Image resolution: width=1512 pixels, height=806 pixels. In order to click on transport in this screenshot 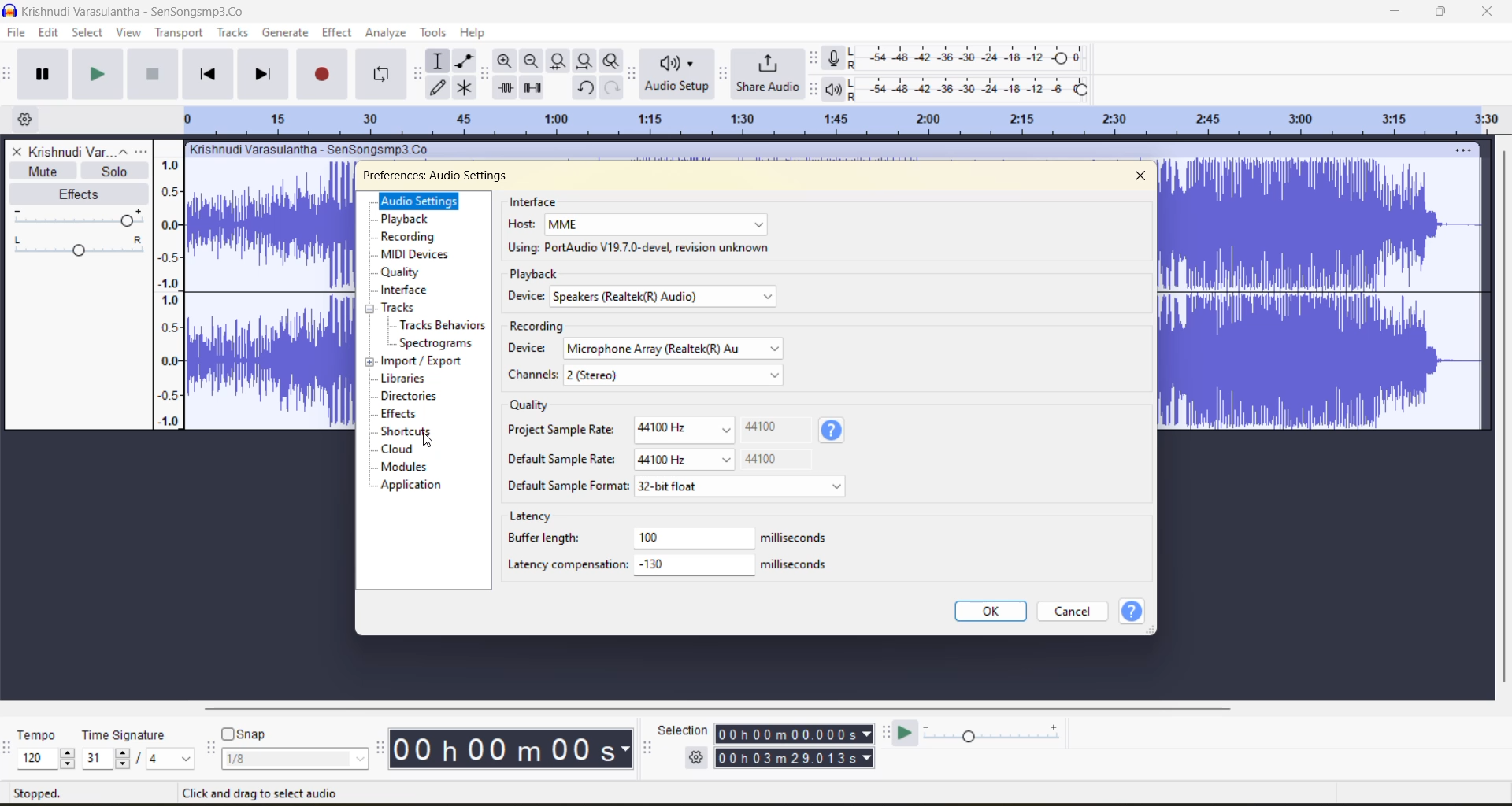, I will do `click(177, 31)`.